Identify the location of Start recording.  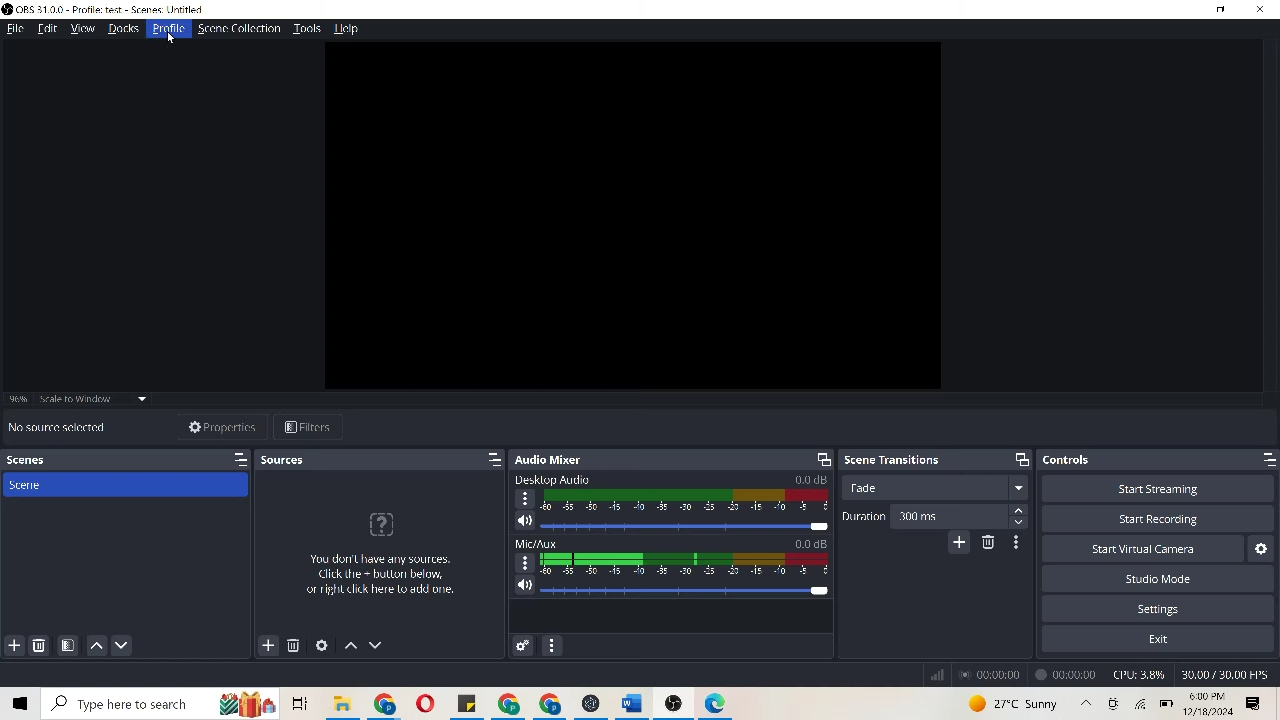
(1156, 523).